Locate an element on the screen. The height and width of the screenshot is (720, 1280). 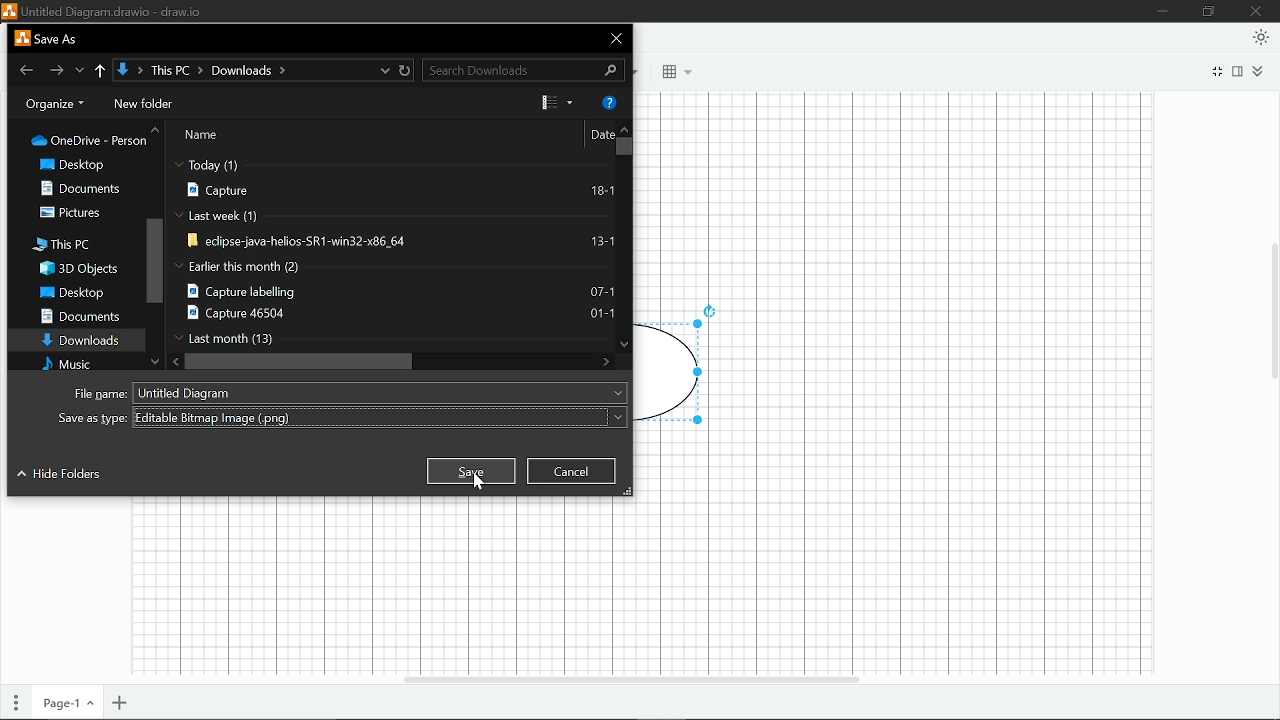
save as window is located at coordinates (46, 38).